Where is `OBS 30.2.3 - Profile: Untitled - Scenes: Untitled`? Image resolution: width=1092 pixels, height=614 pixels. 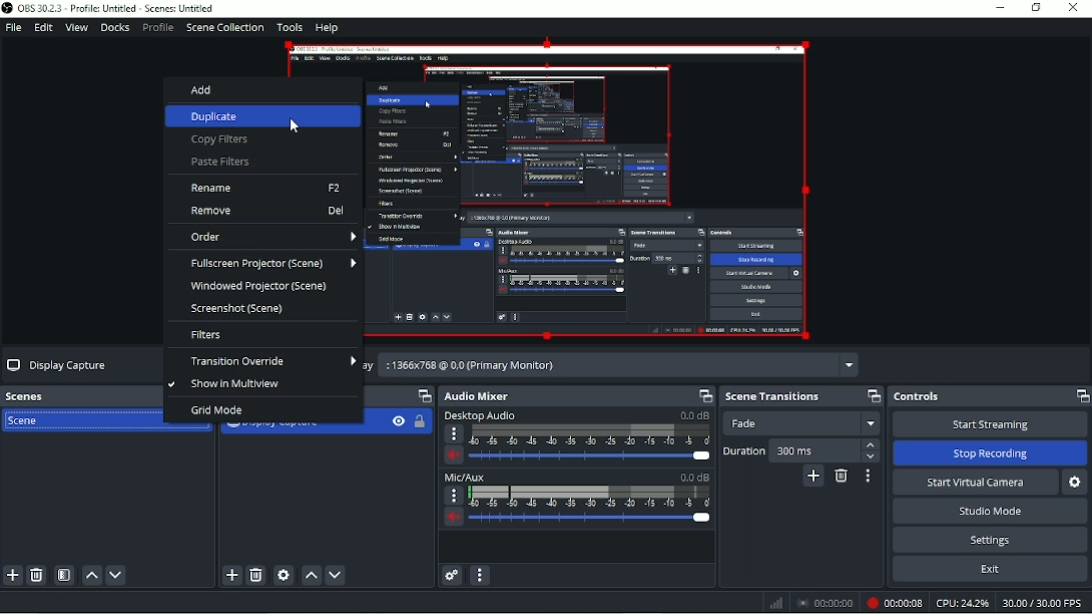
OBS 30.2.3 - Profile: Untitled - Scenes: Untitled is located at coordinates (109, 8).